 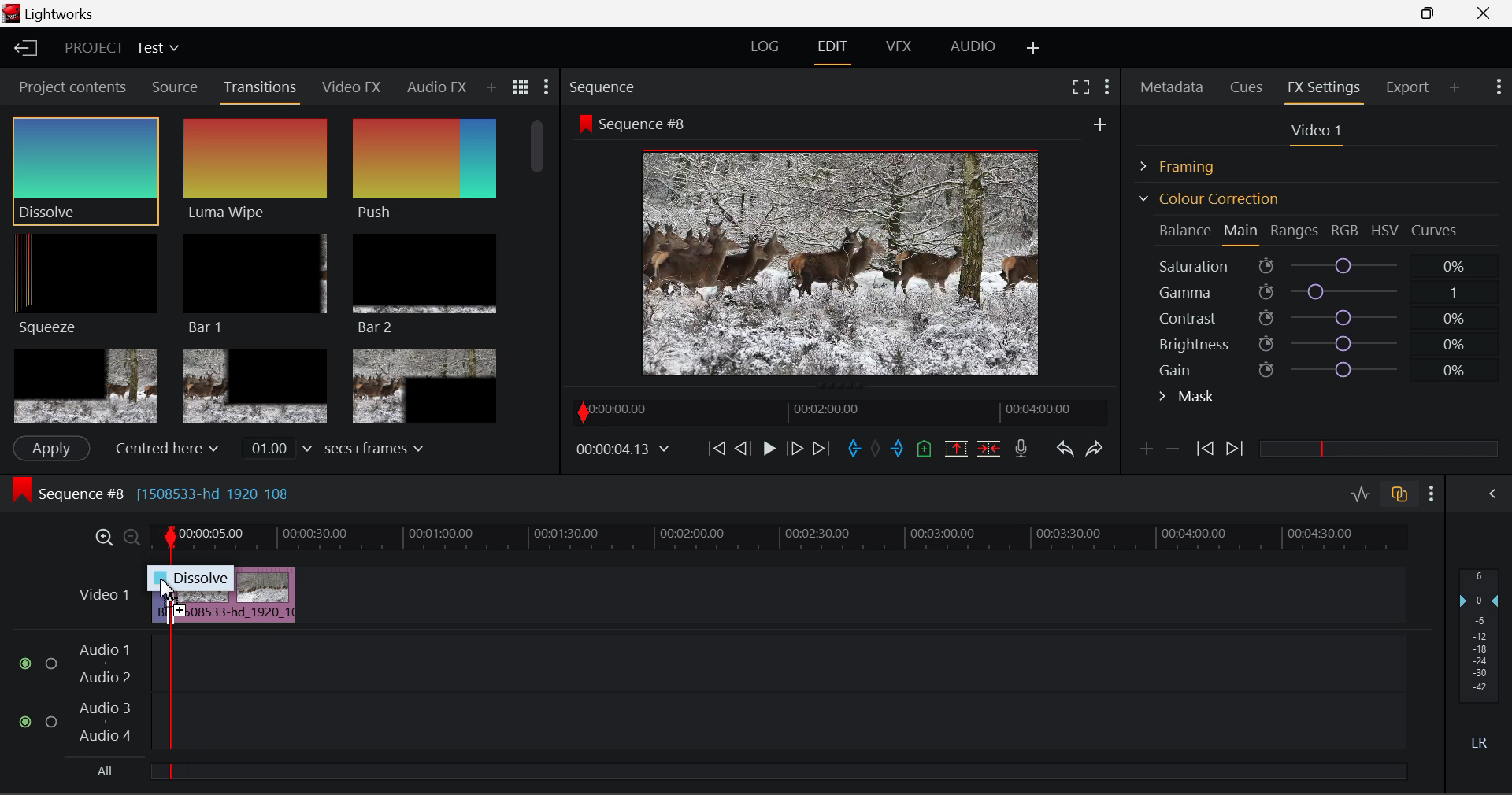 I want to click on Mark Out, so click(x=899, y=449).